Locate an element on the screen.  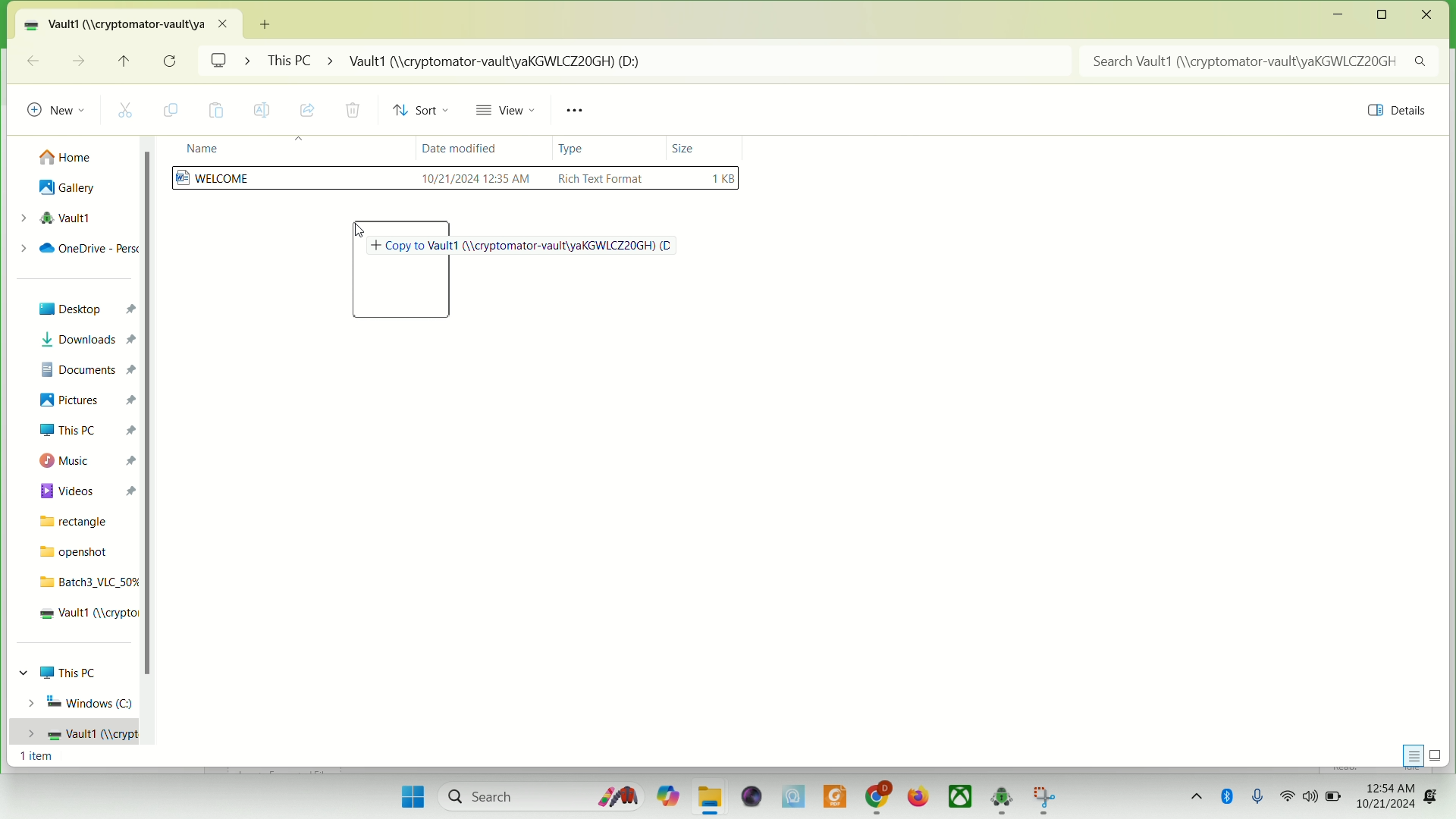
close is located at coordinates (1427, 15).